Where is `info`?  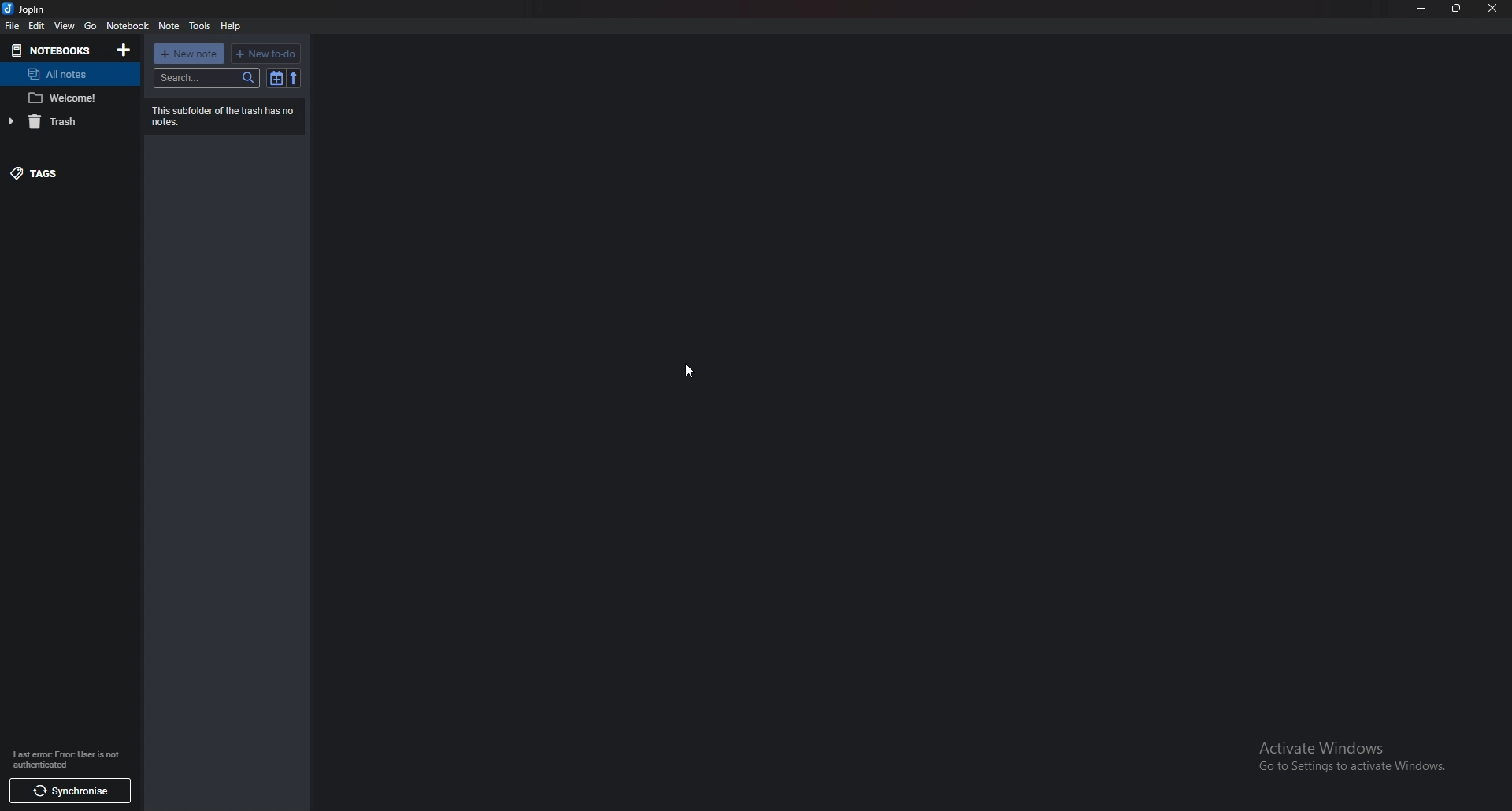
info is located at coordinates (69, 757).